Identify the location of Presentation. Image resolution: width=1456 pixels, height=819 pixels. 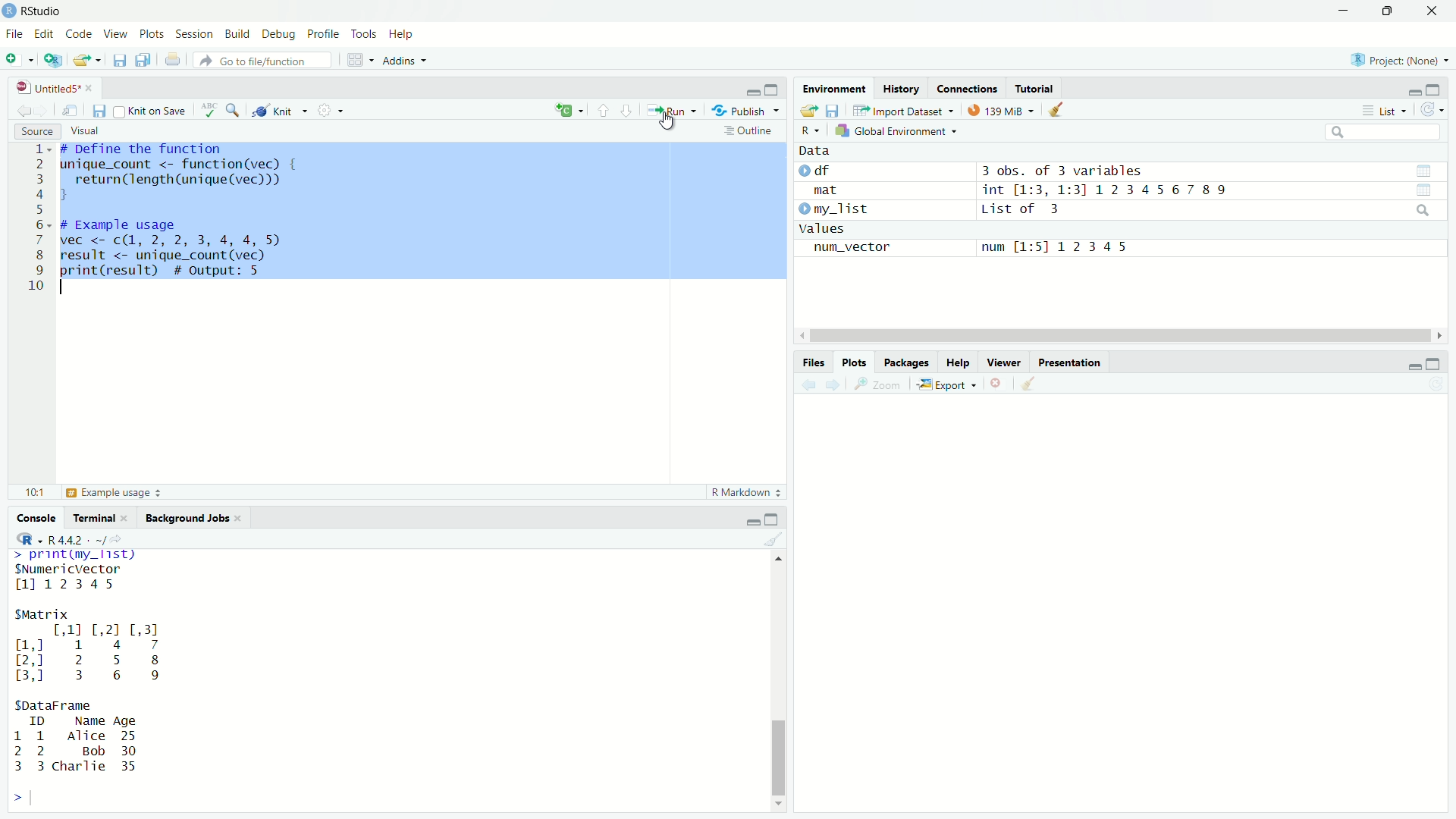
(1072, 362).